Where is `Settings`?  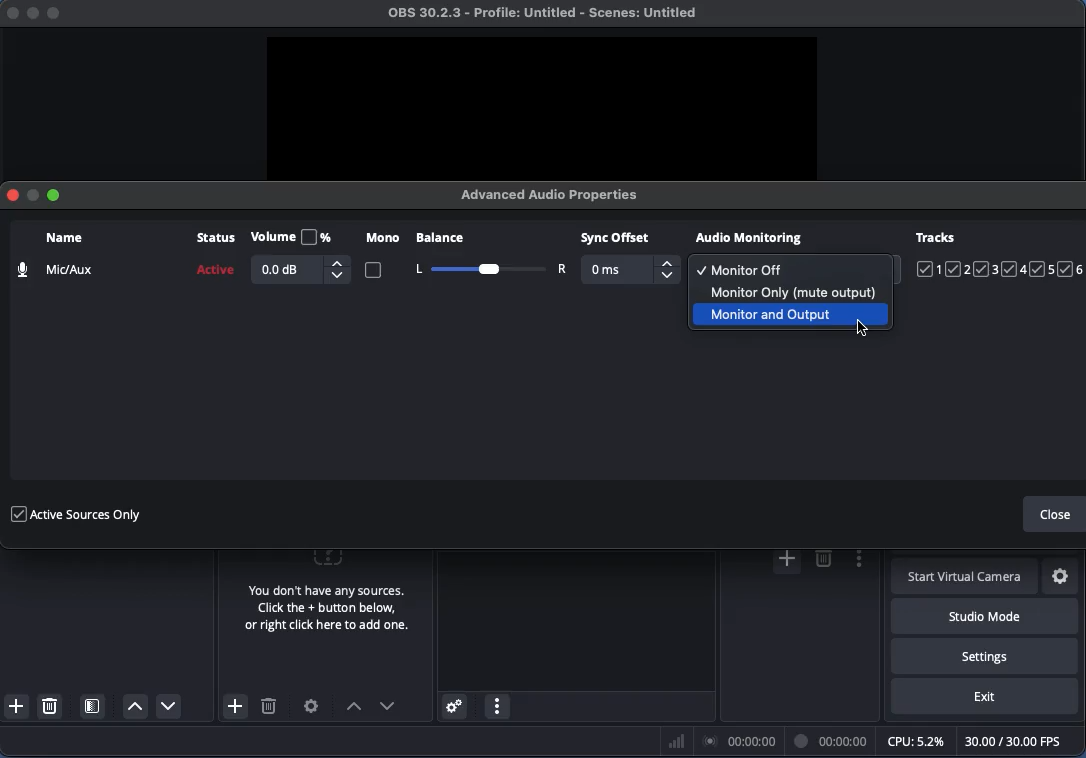
Settings is located at coordinates (312, 706).